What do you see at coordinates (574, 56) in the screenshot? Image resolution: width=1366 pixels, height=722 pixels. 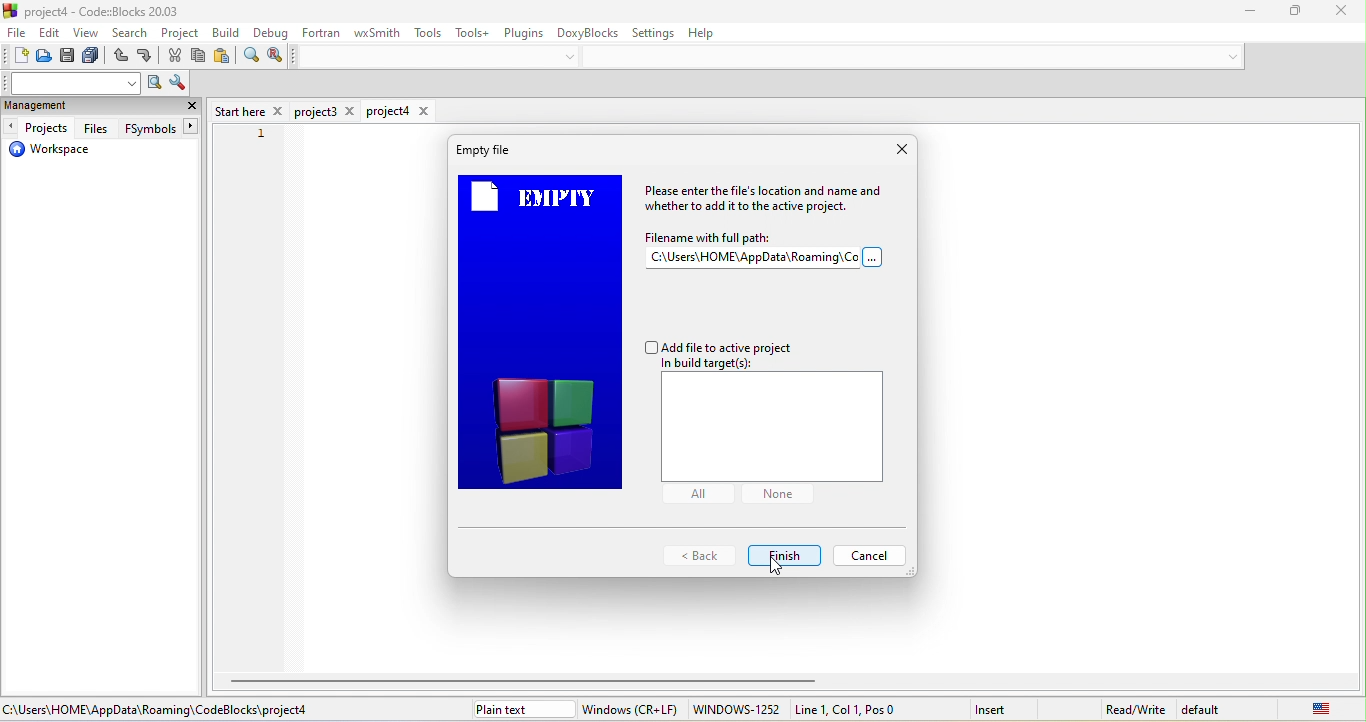 I see `down` at bounding box center [574, 56].